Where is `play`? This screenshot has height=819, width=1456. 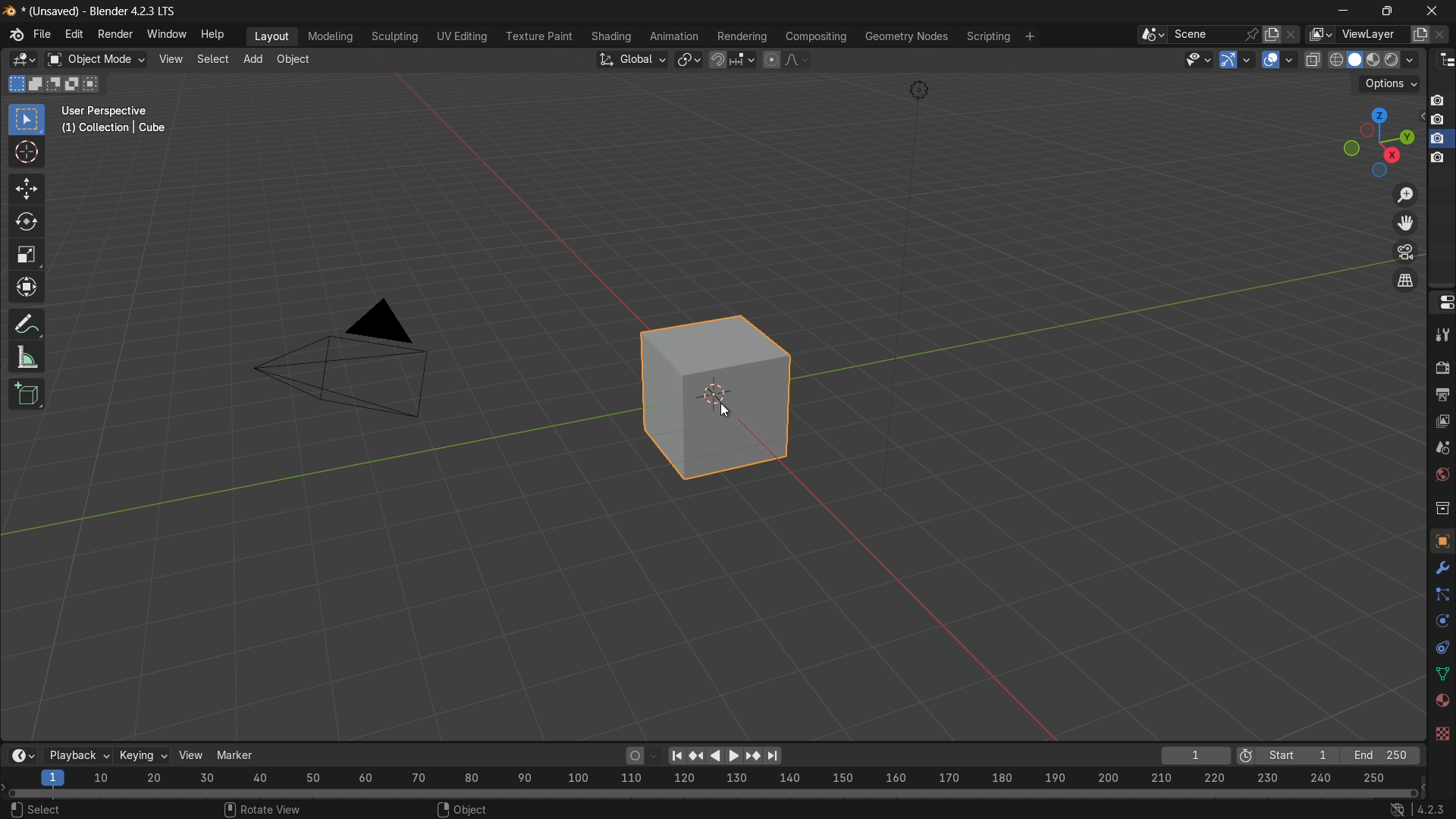 play is located at coordinates (723, 755).